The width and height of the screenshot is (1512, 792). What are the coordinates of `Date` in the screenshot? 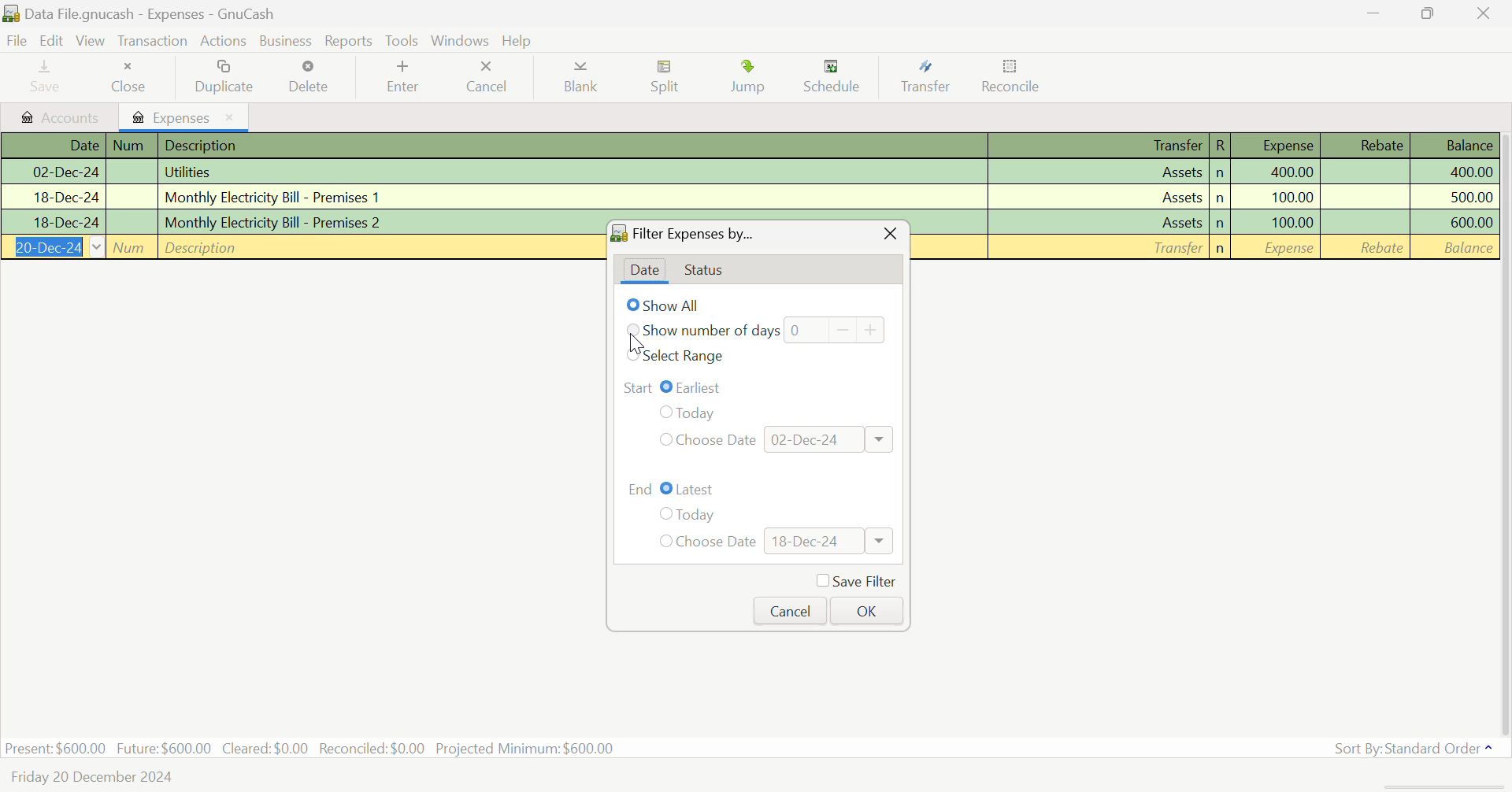 It's located at (51, 172).